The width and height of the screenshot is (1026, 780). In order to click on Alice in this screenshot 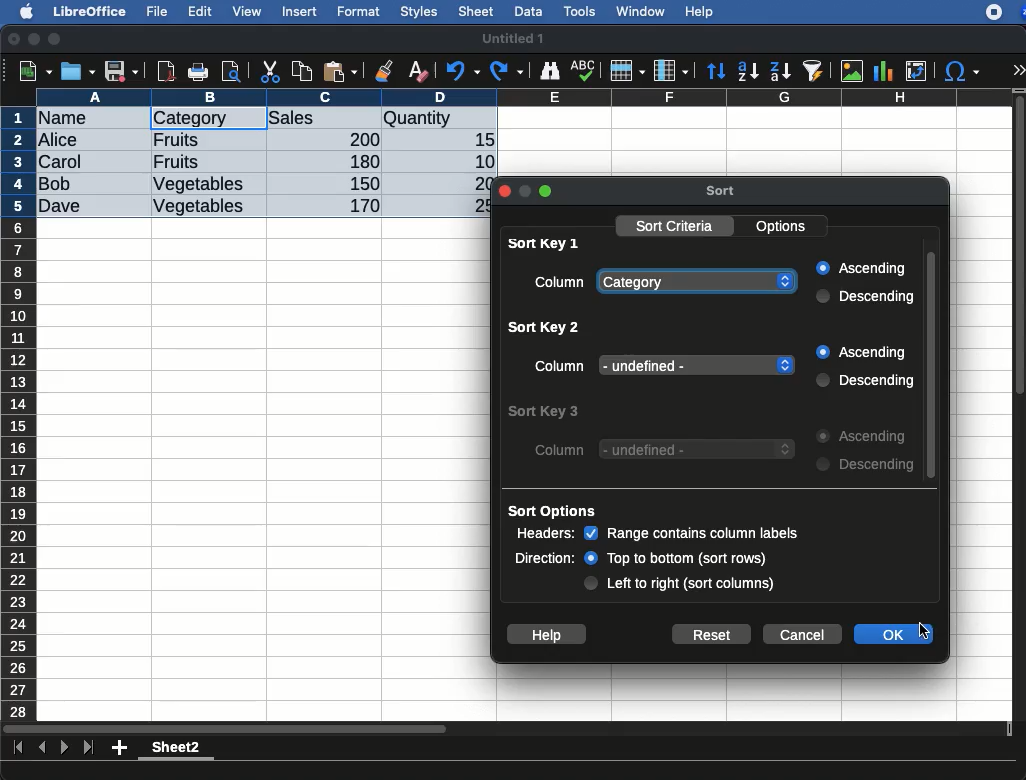, I will do `click(60, 141)`.